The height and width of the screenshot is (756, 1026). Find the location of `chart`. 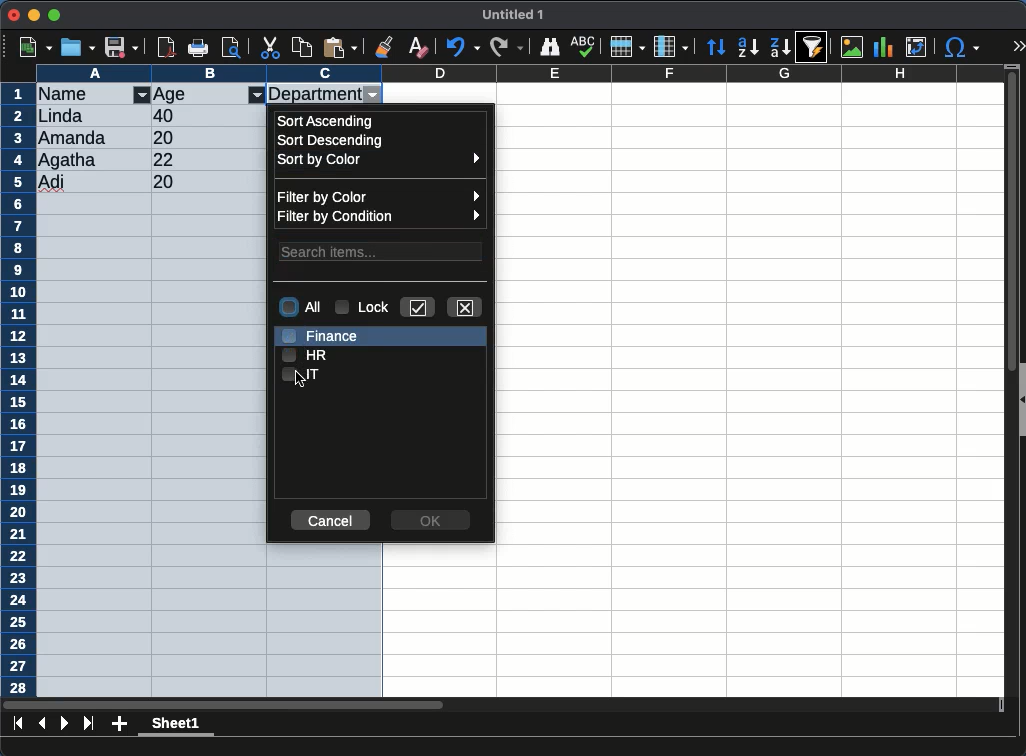

chart is located at coordinates (884, 47).